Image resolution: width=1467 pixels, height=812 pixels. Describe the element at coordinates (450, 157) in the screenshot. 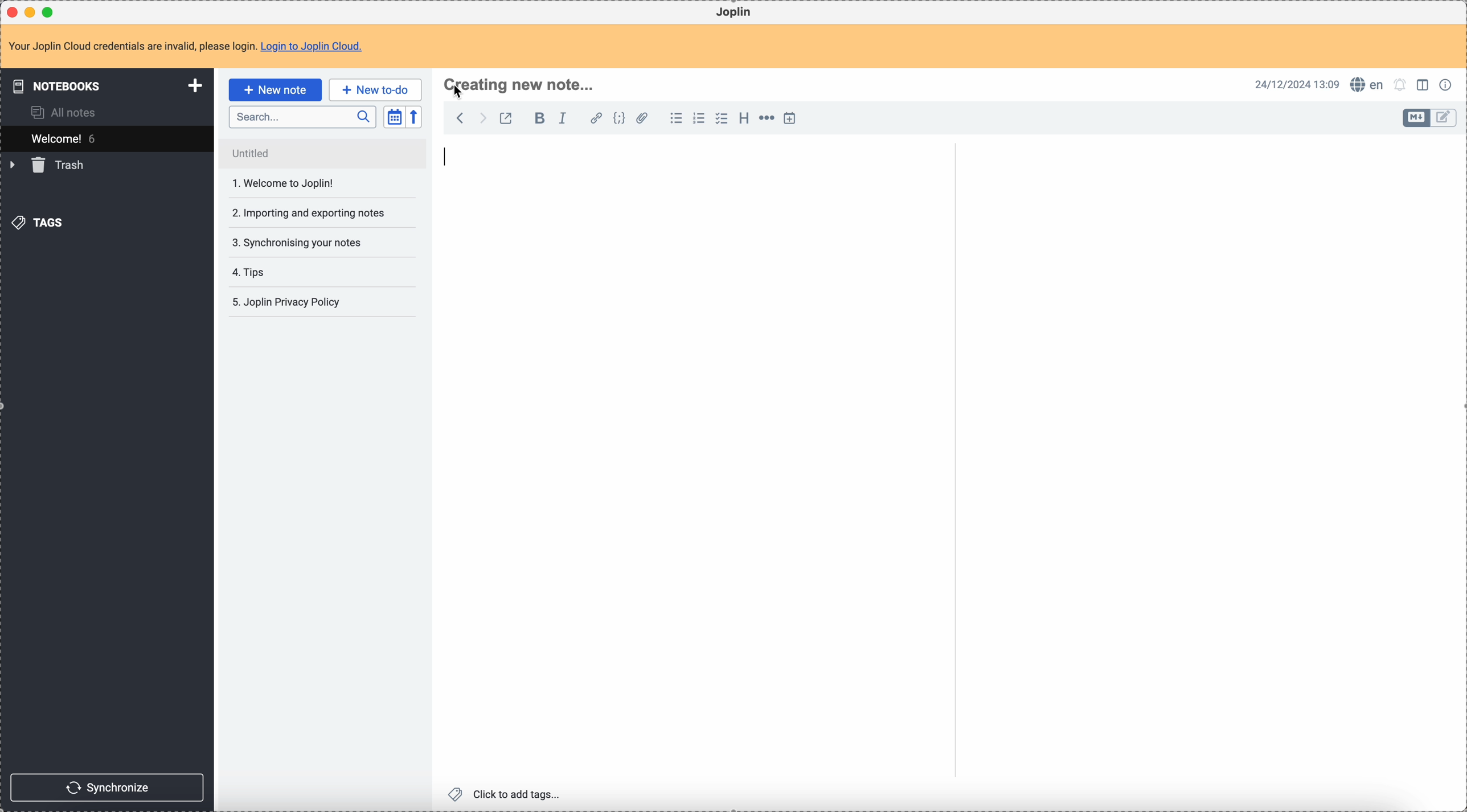

I see `type` at that location.